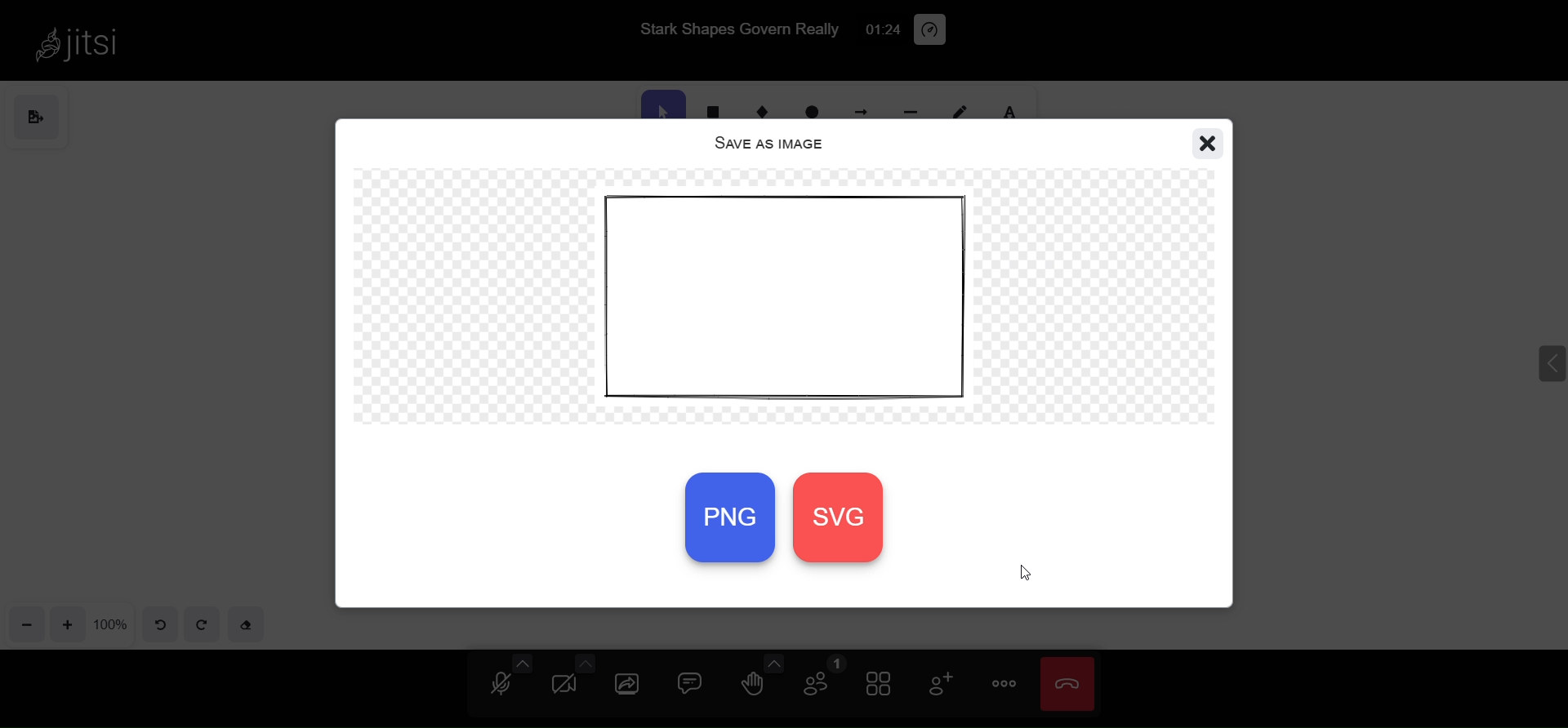 The width and height of the screenshot is (1568, 728). Describe the element at coordinates (728, 515) in the screenshot. I see `png` at that location.